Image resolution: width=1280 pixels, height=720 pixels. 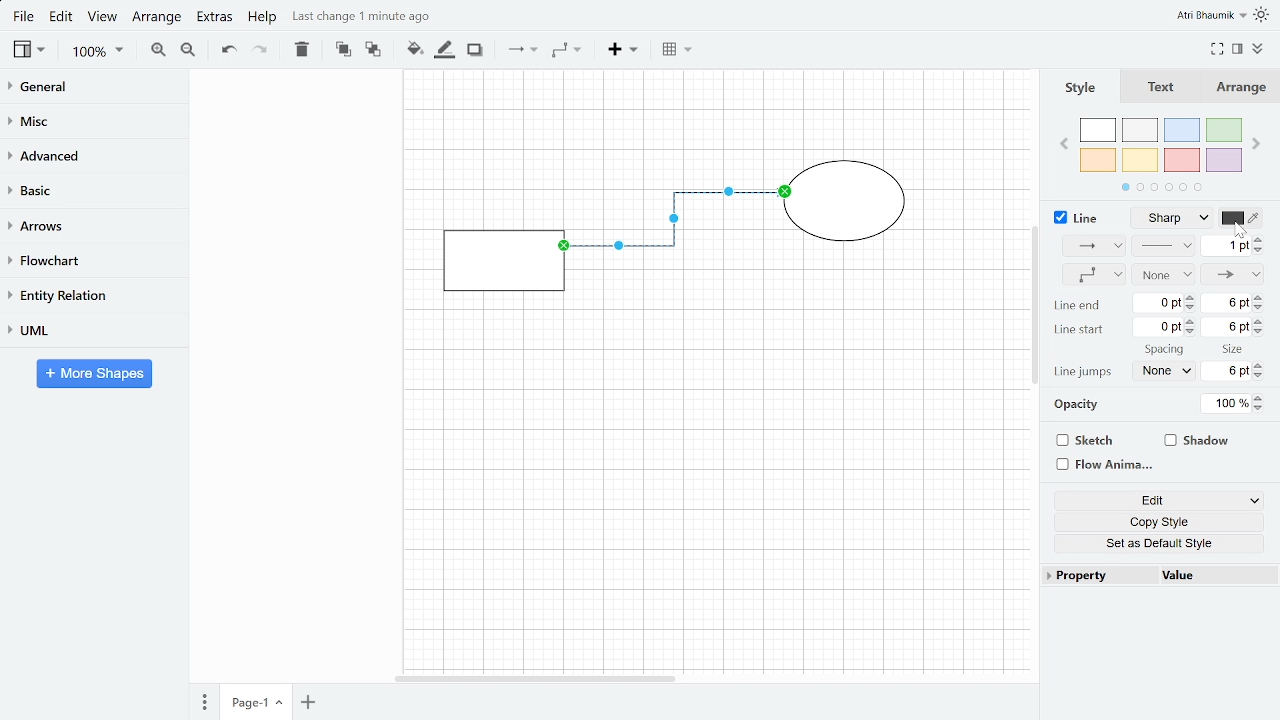 What do you see at coordinates (189, 52) in the screenshot?
I see `Zoom out` at bounding box center [189, 52].